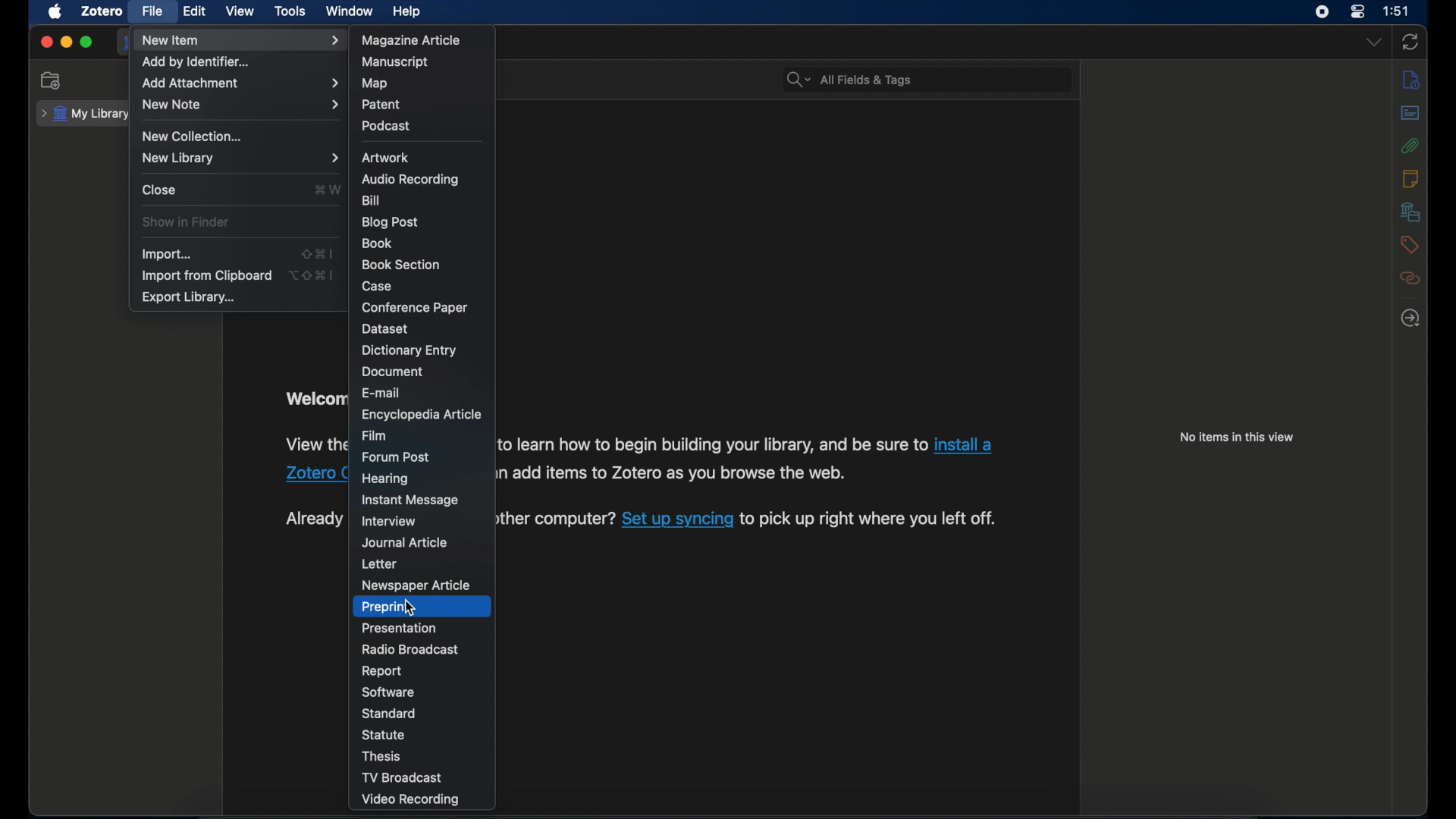  What do you see at coordinates (417, 585) in the screenshot?
I see `newspaper article` at bounding box center [417, 585].